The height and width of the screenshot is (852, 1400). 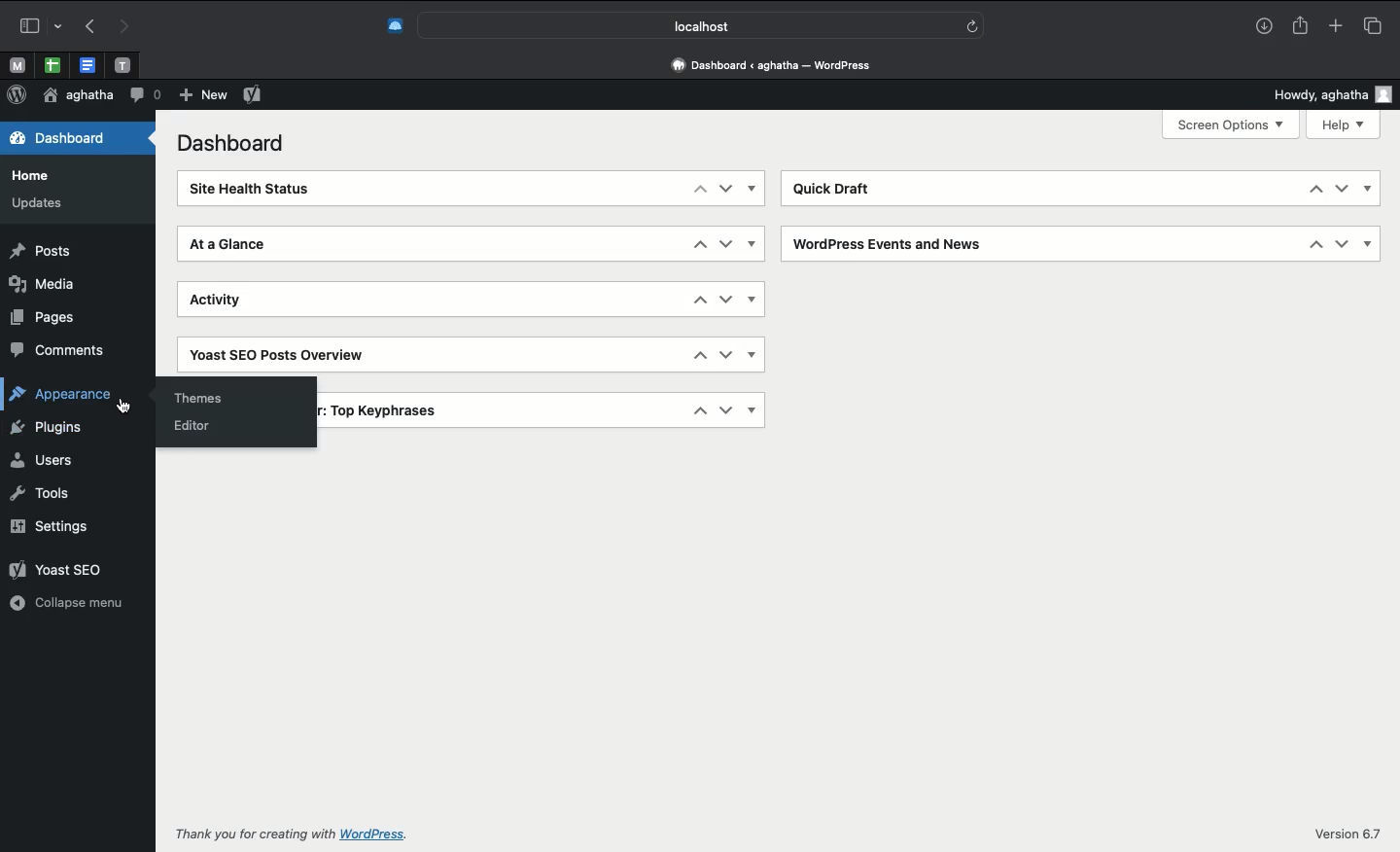 What do you see at coordinates (892, 241) in the screenshot?
I see `Wordpress events and news` at bounding box center [892, 241].